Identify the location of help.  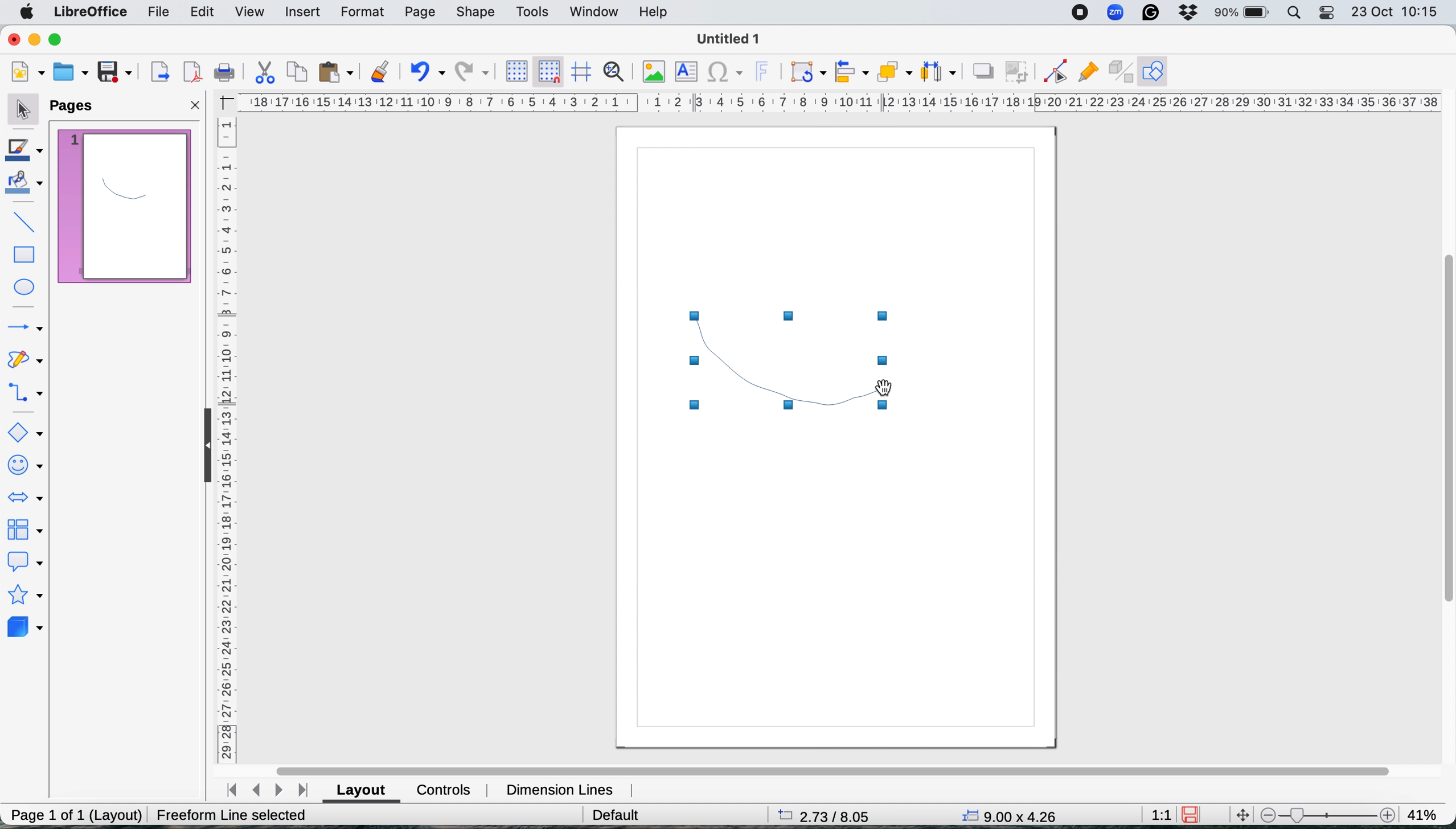
(657, 13).